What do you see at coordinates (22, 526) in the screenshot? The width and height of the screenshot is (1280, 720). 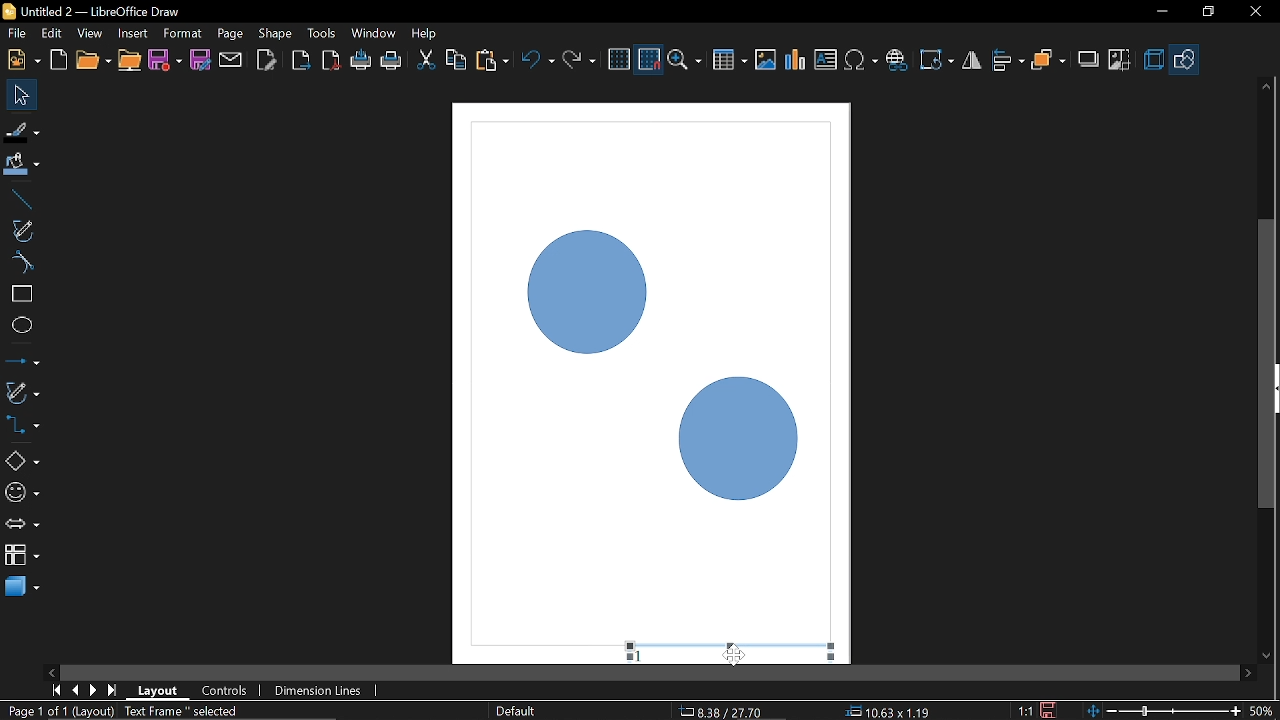 I see ` arrow shapes` at bounding box center [22, 526].